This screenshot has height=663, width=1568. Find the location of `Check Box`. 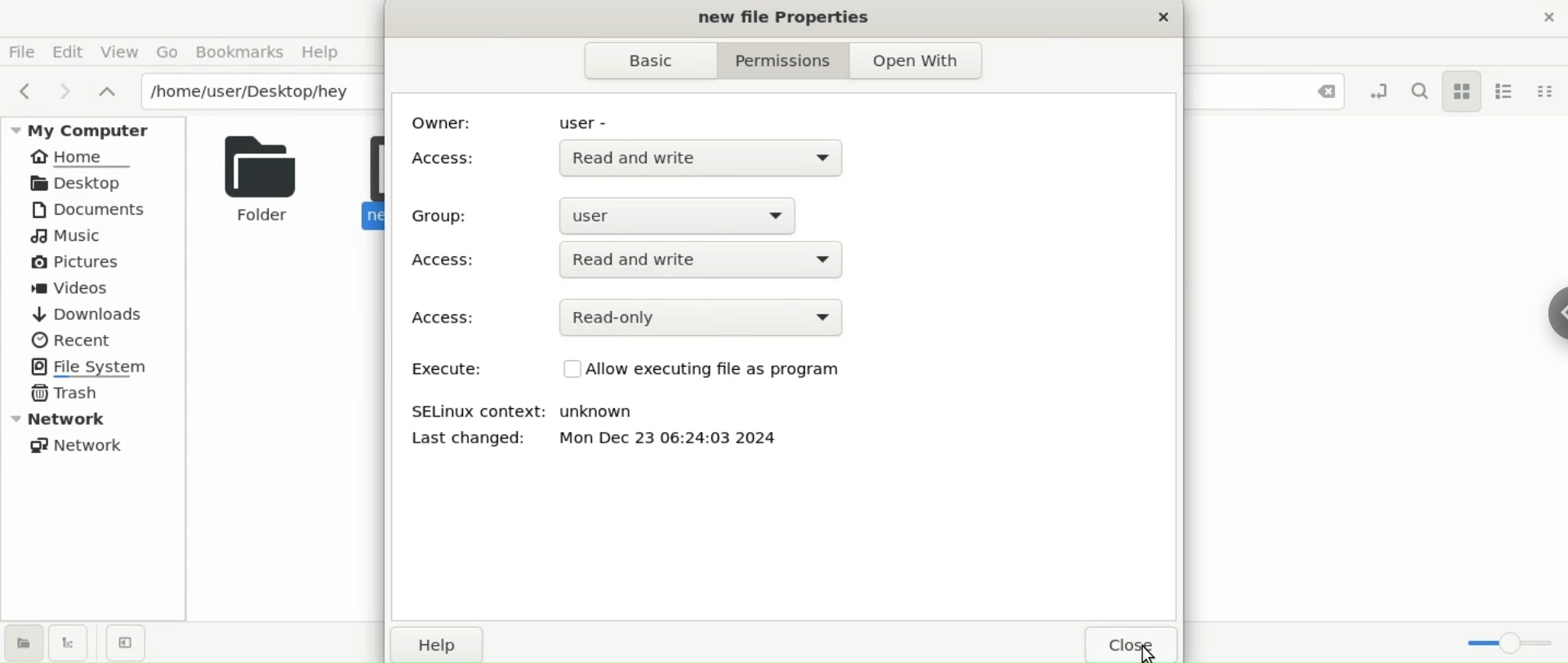

Check Box is located at coordinates (561, 368).